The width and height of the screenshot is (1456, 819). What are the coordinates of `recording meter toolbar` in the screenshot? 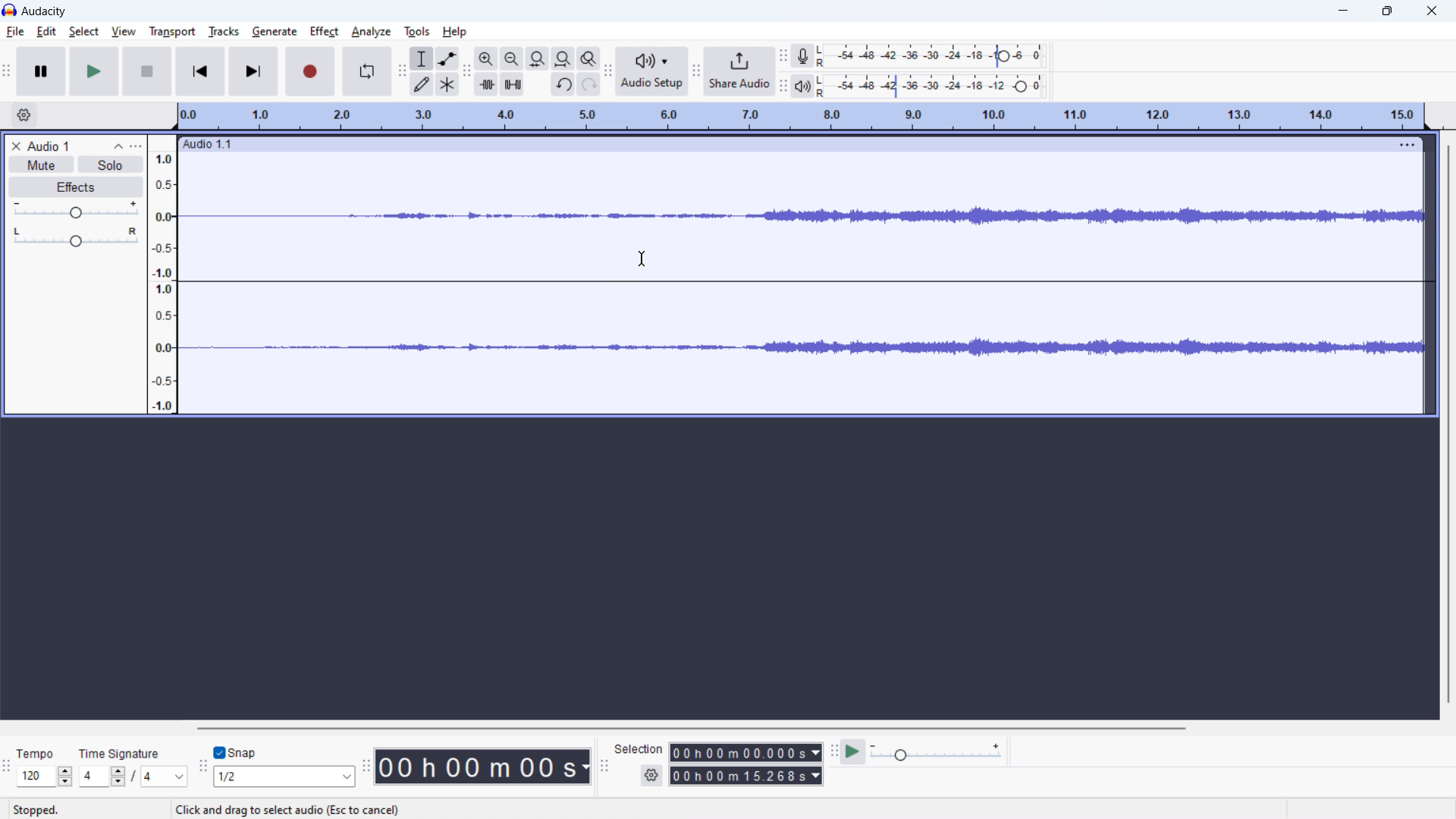 It's located at (784, 56).